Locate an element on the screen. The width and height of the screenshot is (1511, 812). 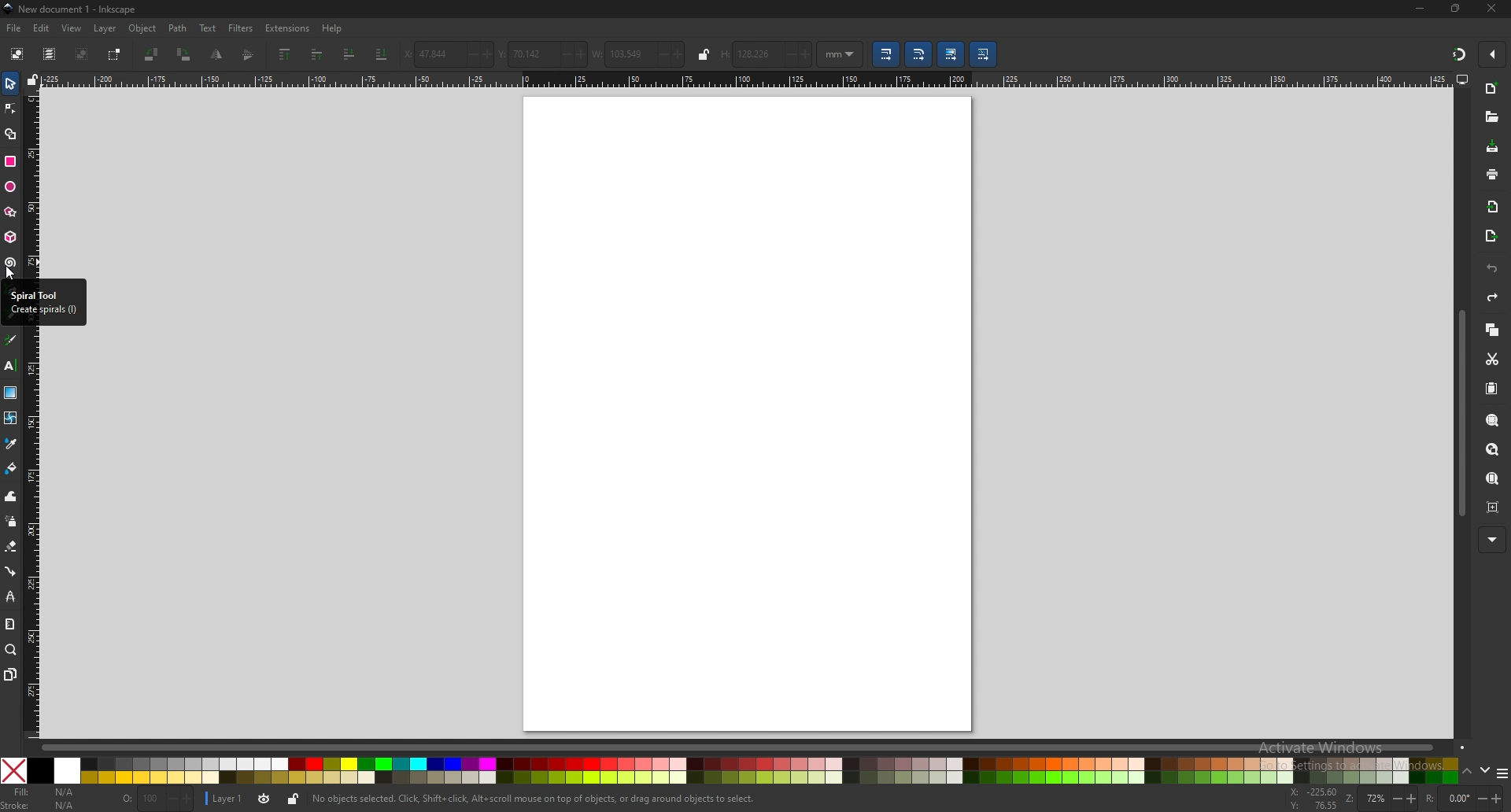
tweak is located at coordinates (10, 497).